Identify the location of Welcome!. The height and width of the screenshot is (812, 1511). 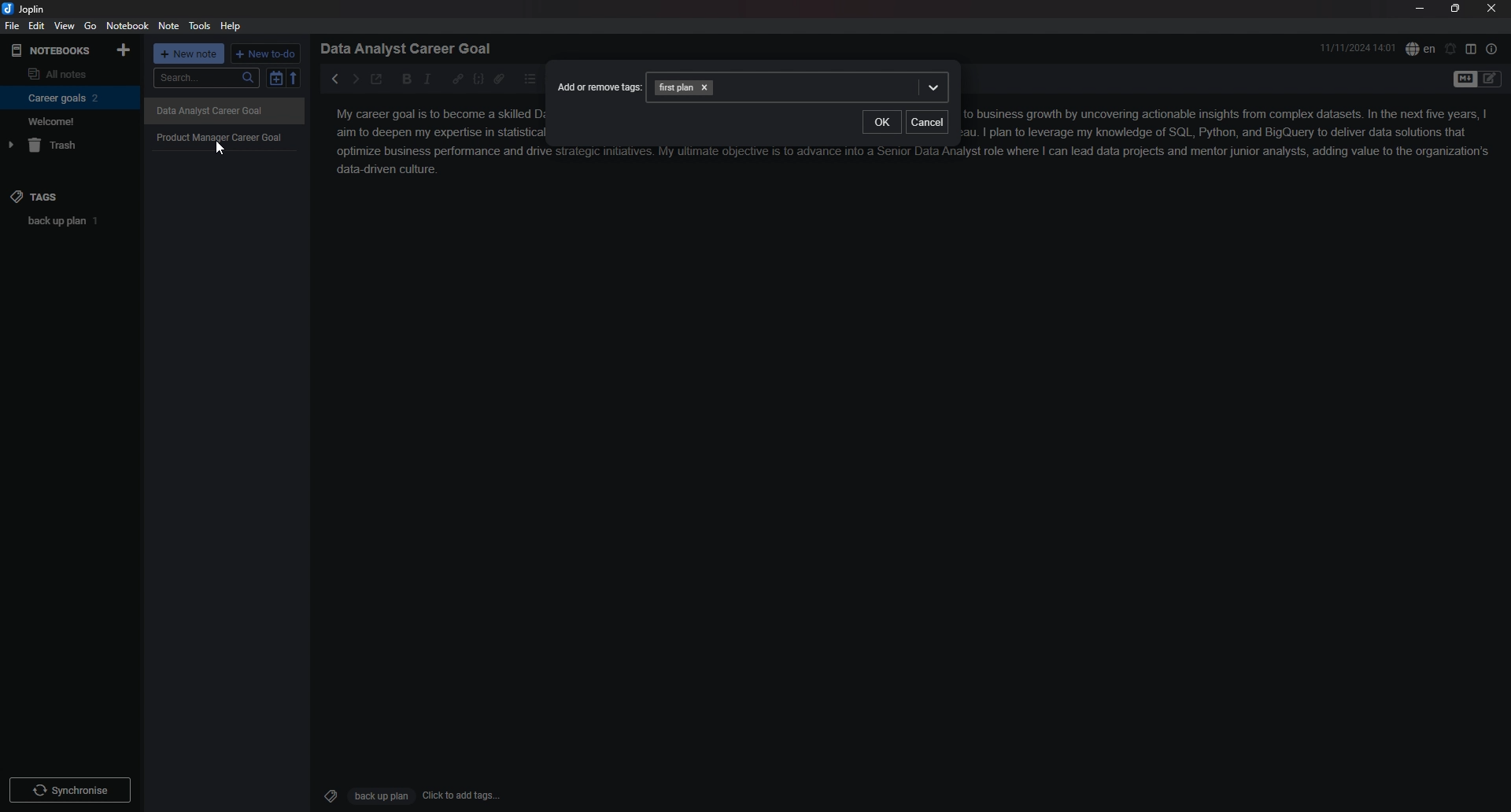
(66, 120).